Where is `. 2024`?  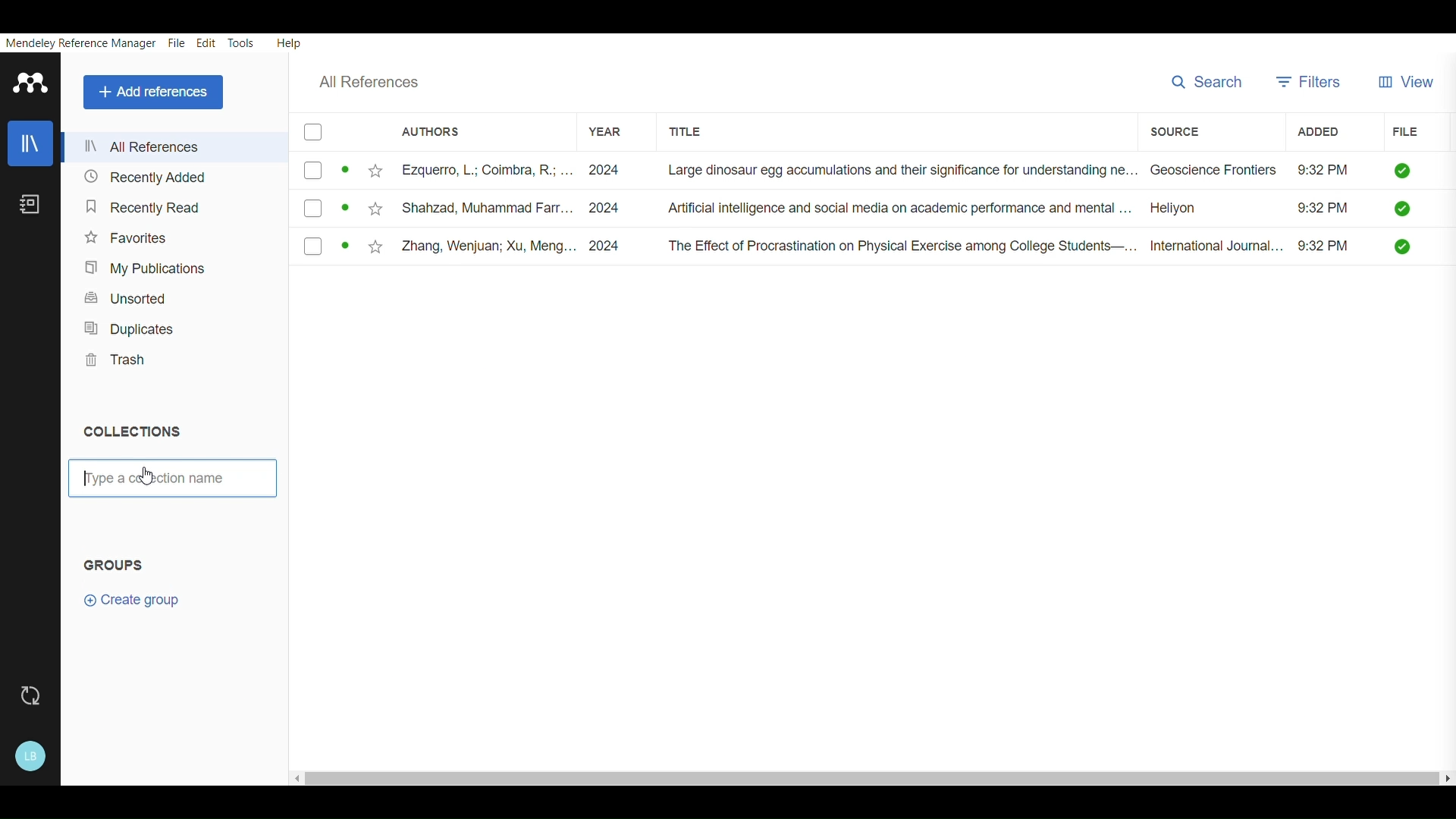 . 2024 is located at coordinates (604, 170).